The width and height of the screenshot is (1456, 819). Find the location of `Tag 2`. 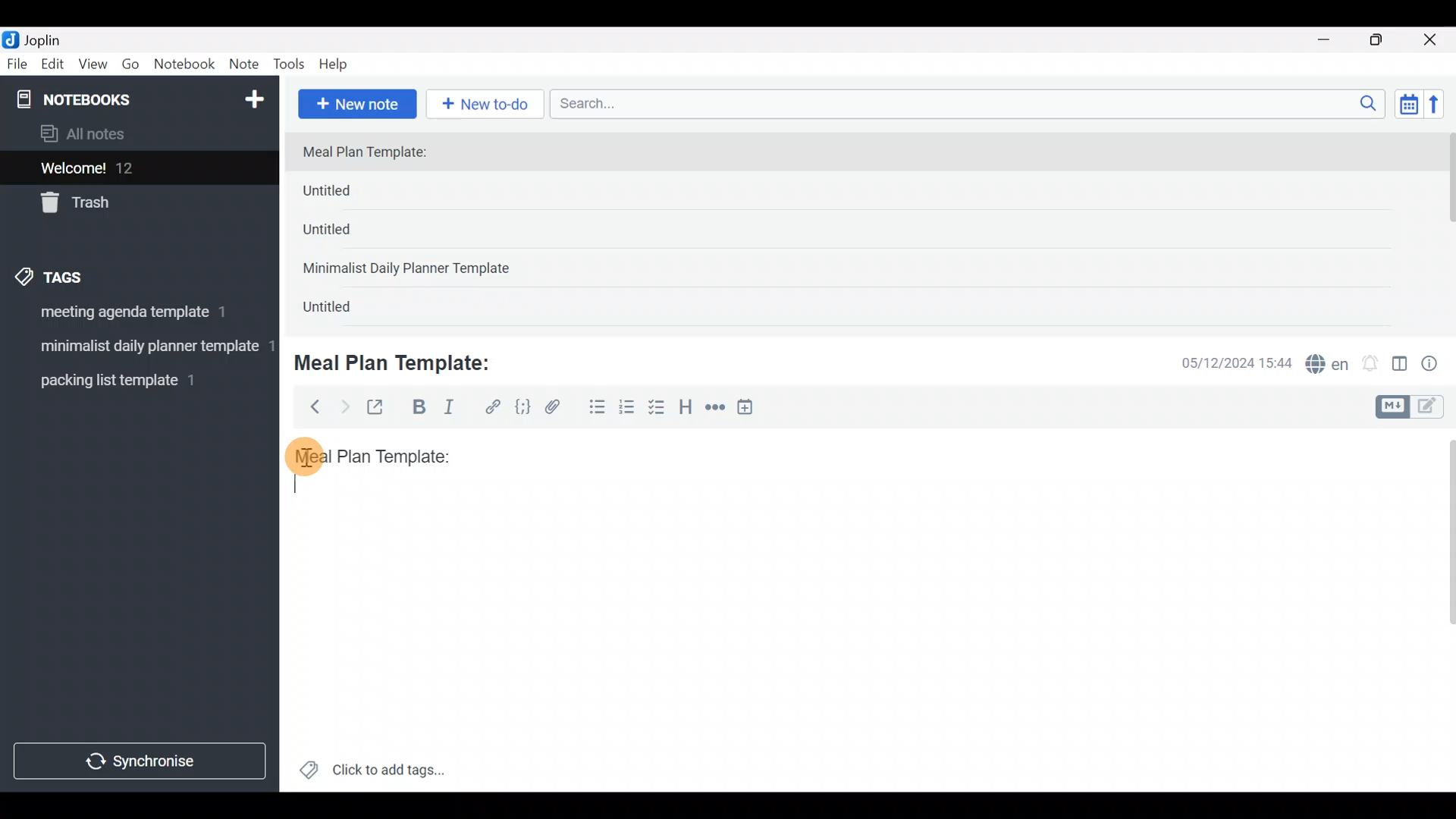

Tag 2 is located at coordinates (139, 348).